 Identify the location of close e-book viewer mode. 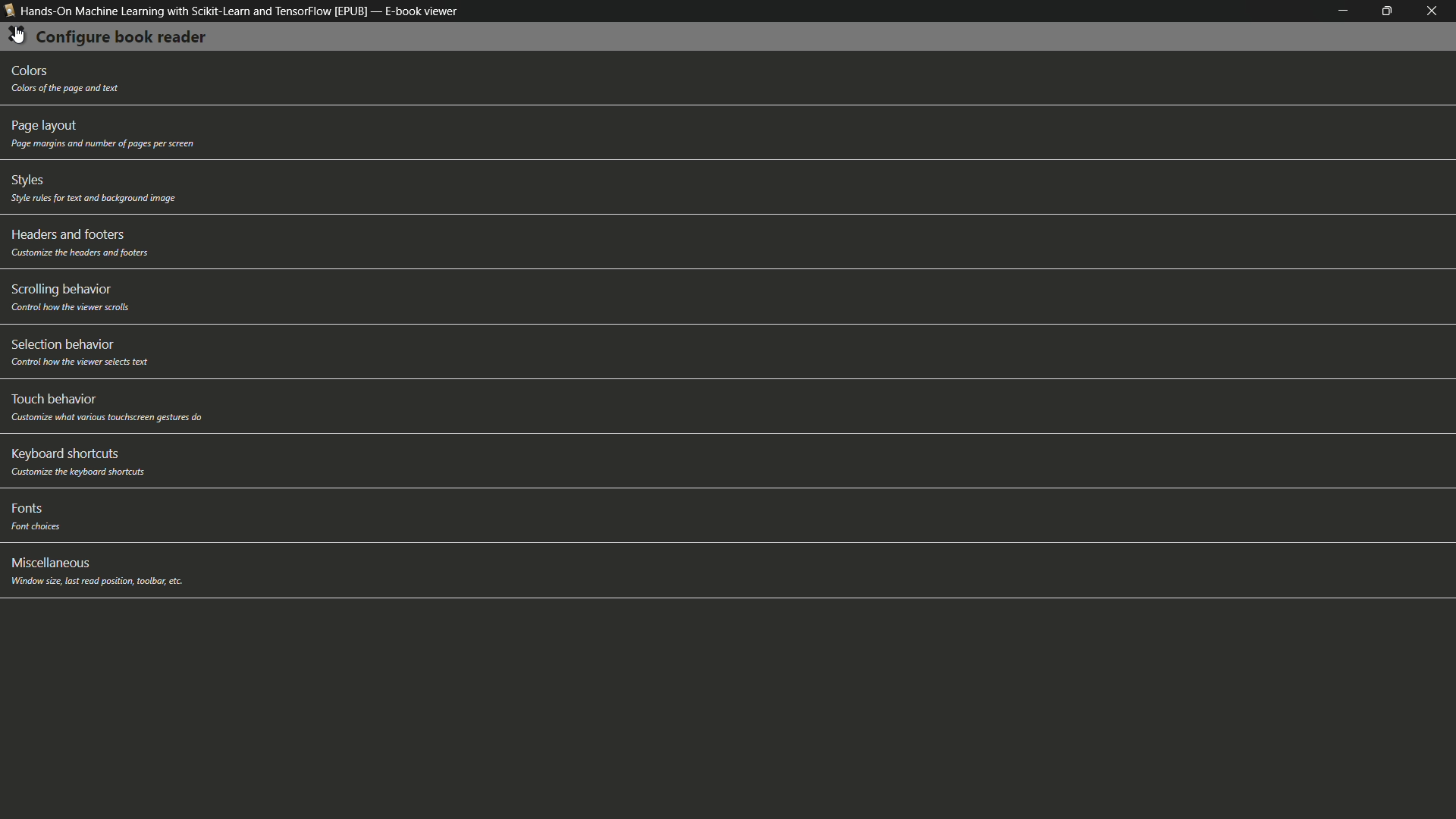
(1436, 11).